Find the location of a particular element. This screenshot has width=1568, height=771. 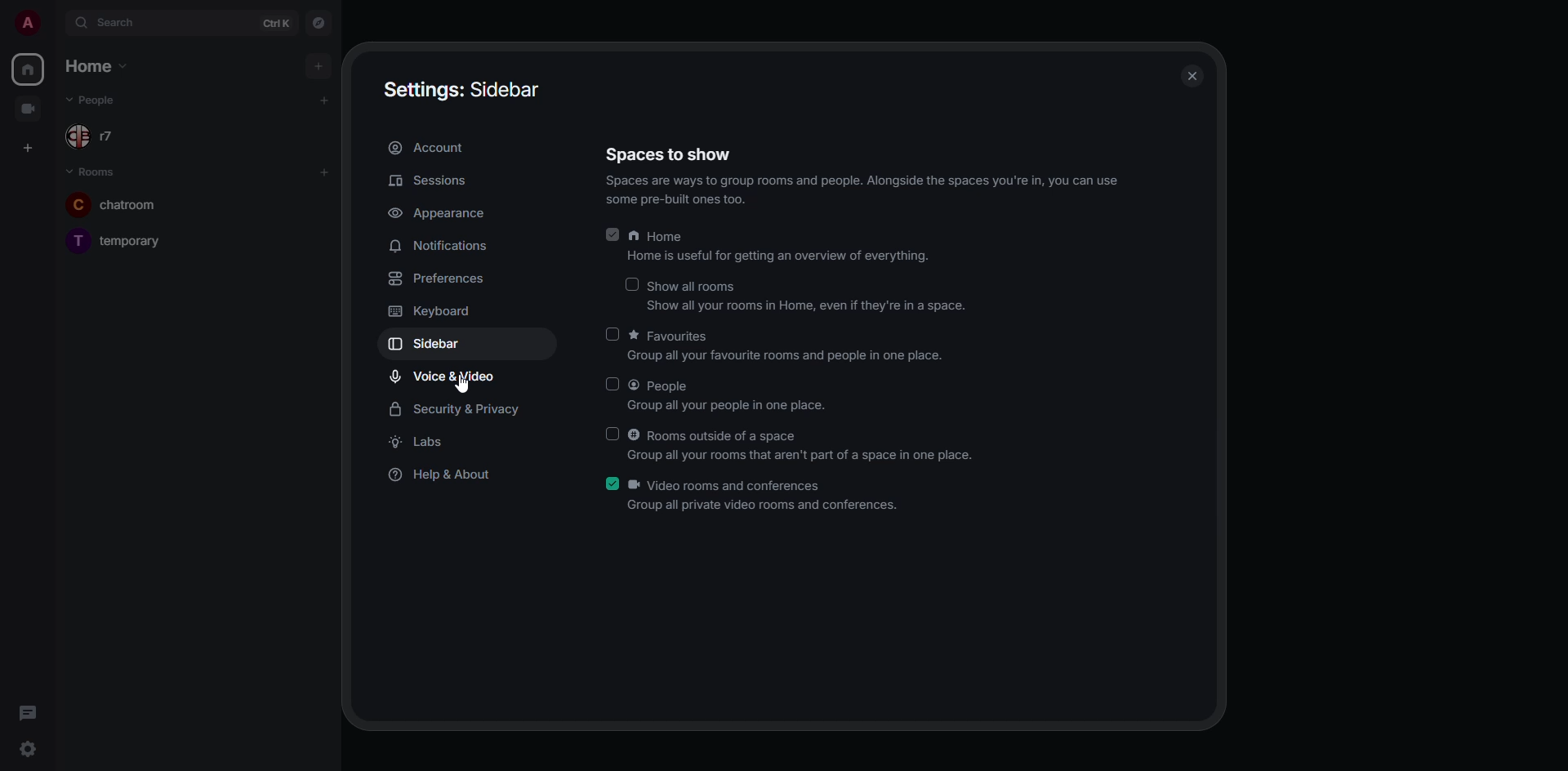

enabled is located at coordinates (611, 484).